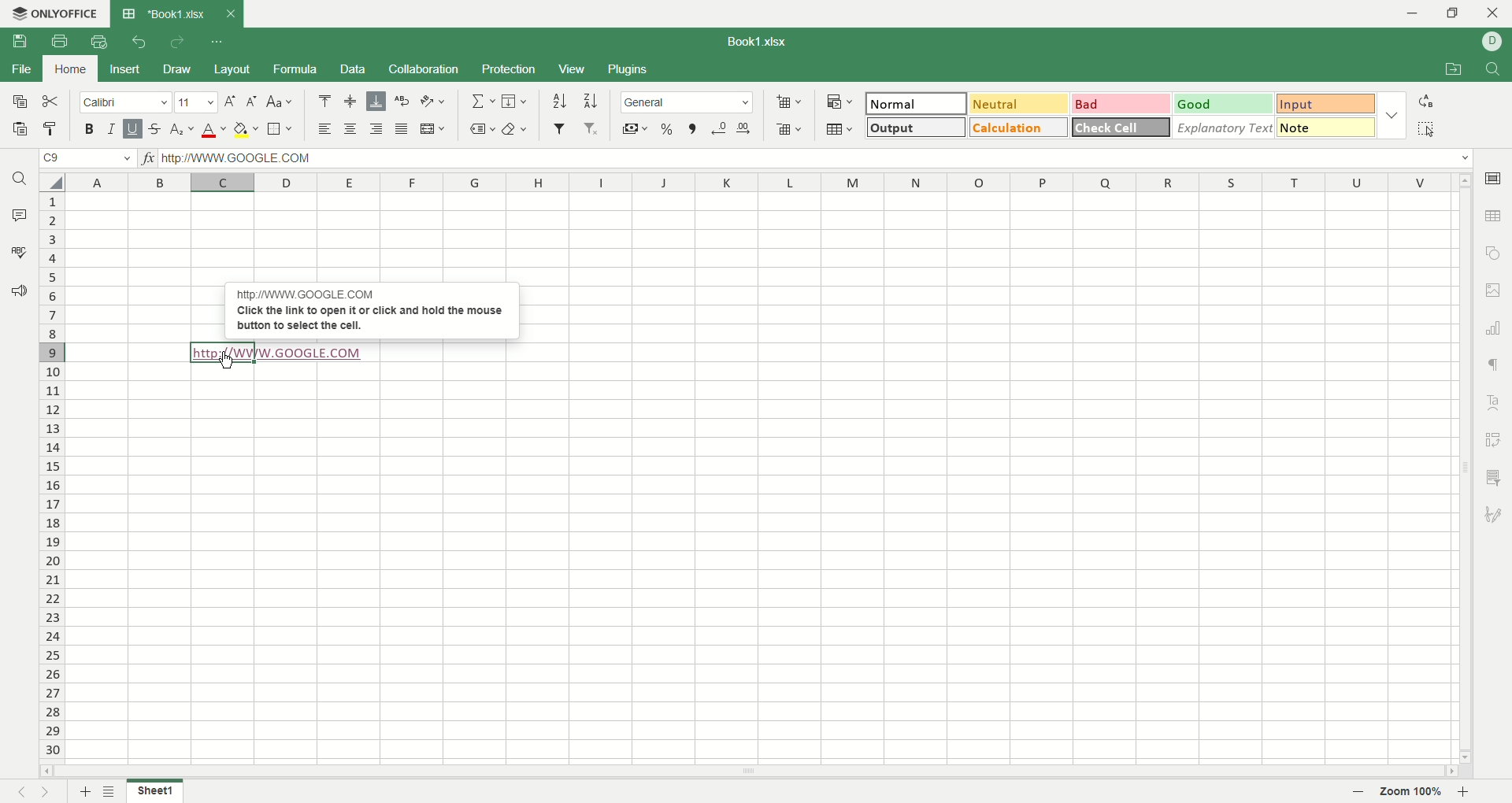  What do you see at coordinates (52, 130) in the screenshot?
I see `copy style` at bounding box center [52, 130].